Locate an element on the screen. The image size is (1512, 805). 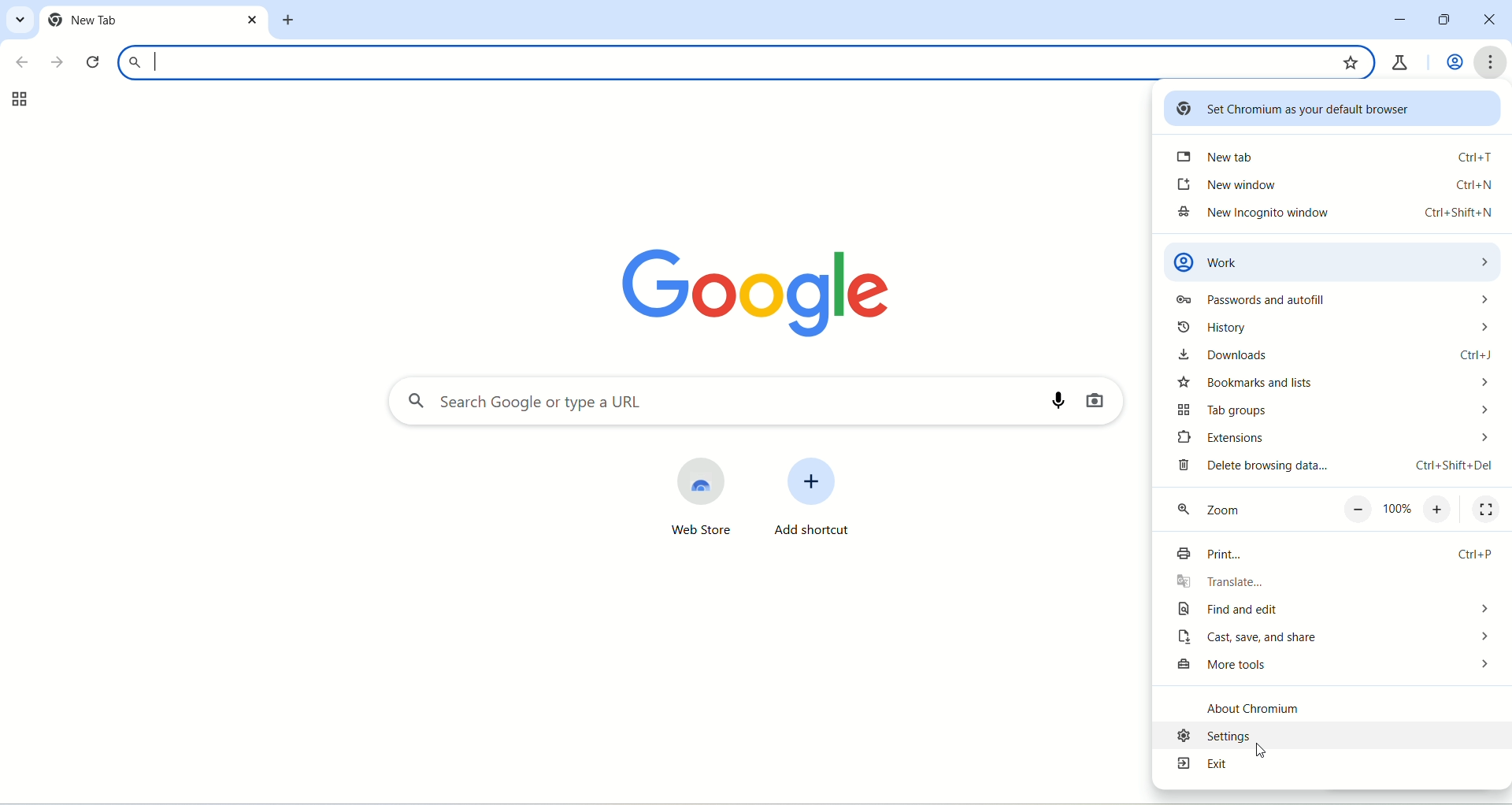
reload is located at coordinates (93, 63).